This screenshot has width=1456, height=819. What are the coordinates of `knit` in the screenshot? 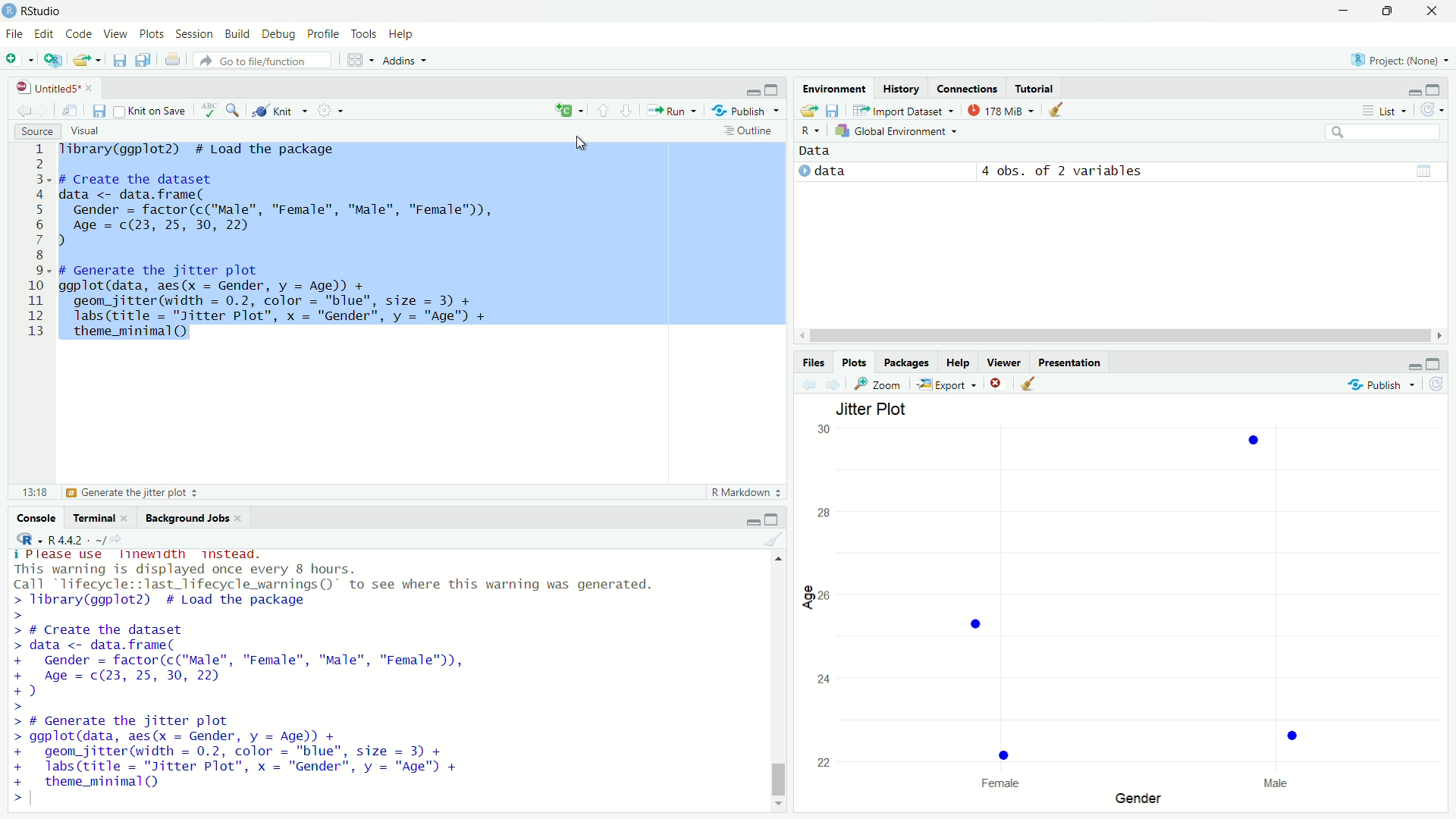 It's located at (281, 111).